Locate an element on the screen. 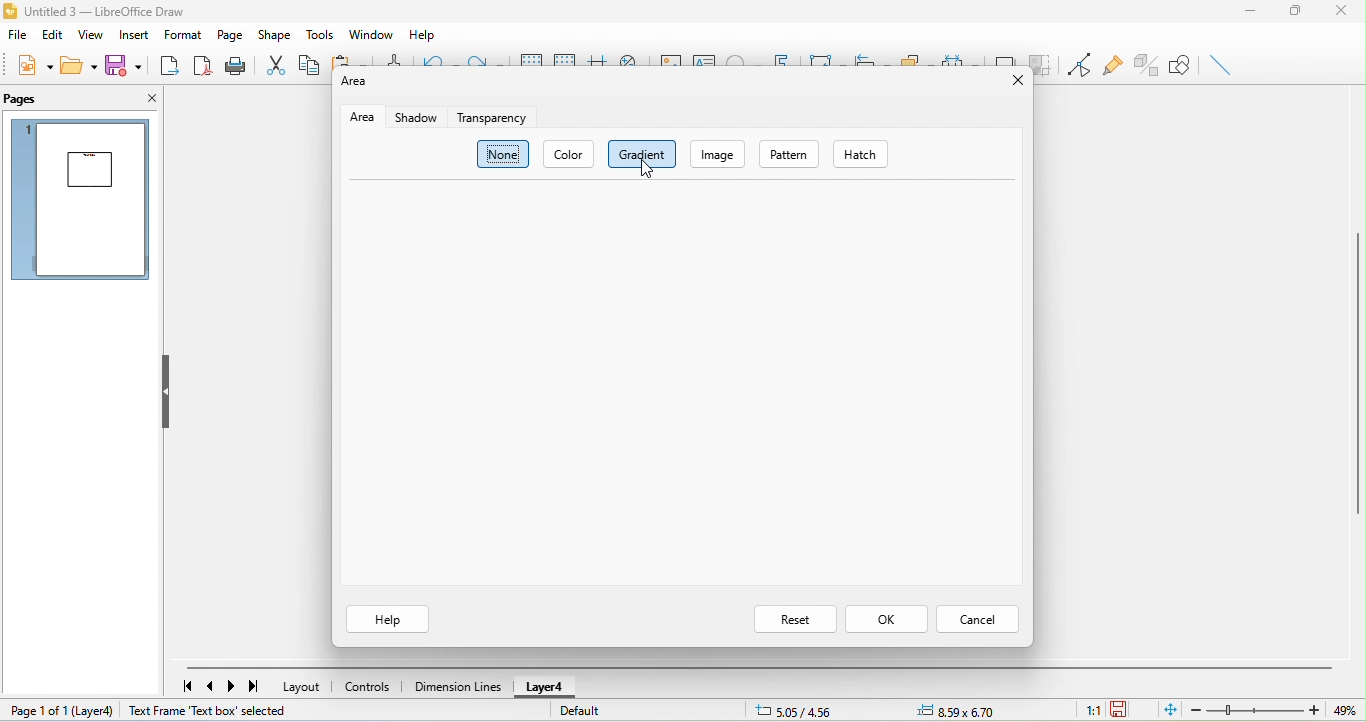  fit to the current page is located at coordinates (1171, 711).